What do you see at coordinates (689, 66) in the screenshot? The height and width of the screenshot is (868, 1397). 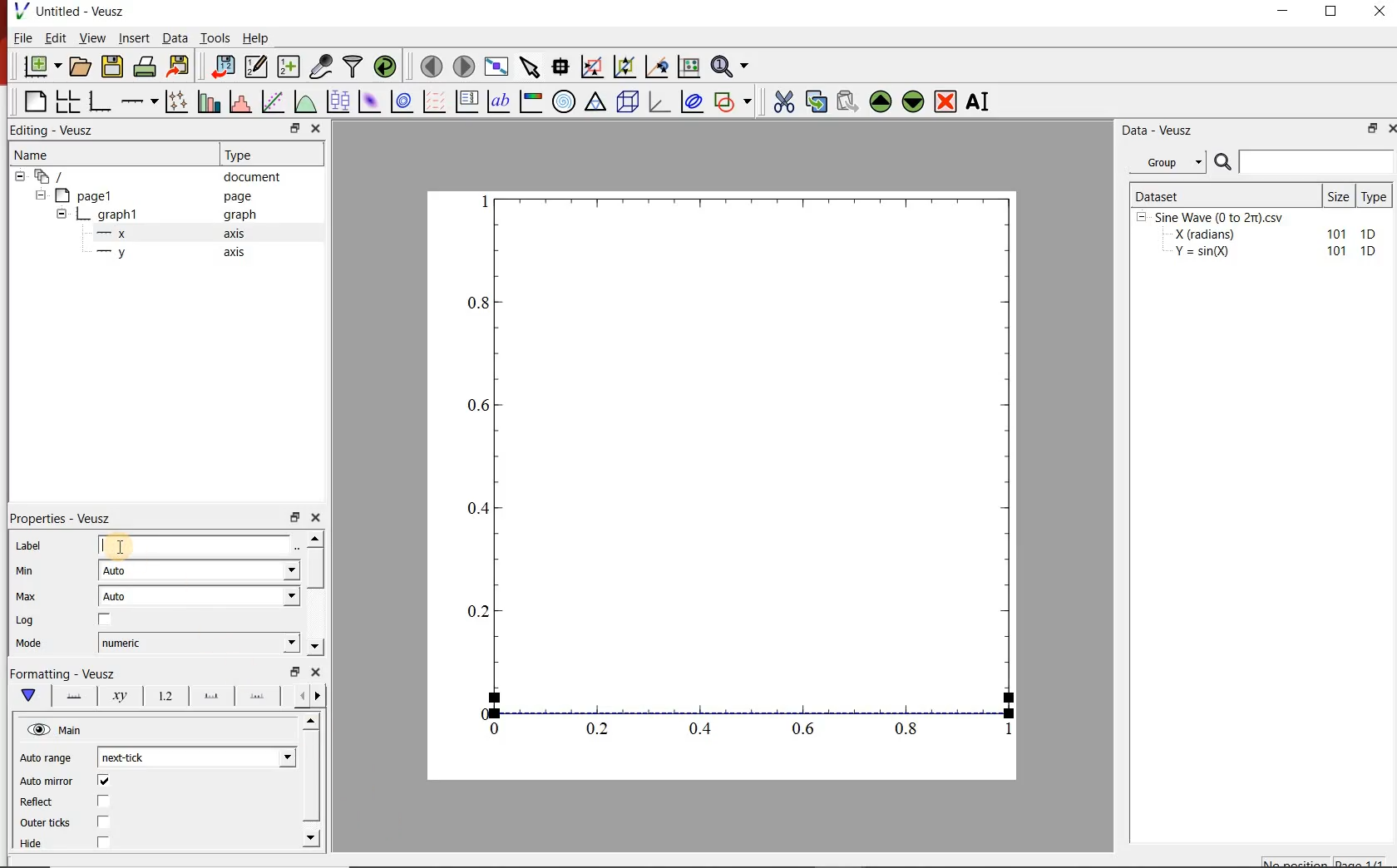 I see `click to reset graphs` at bounding box center [689, 66].